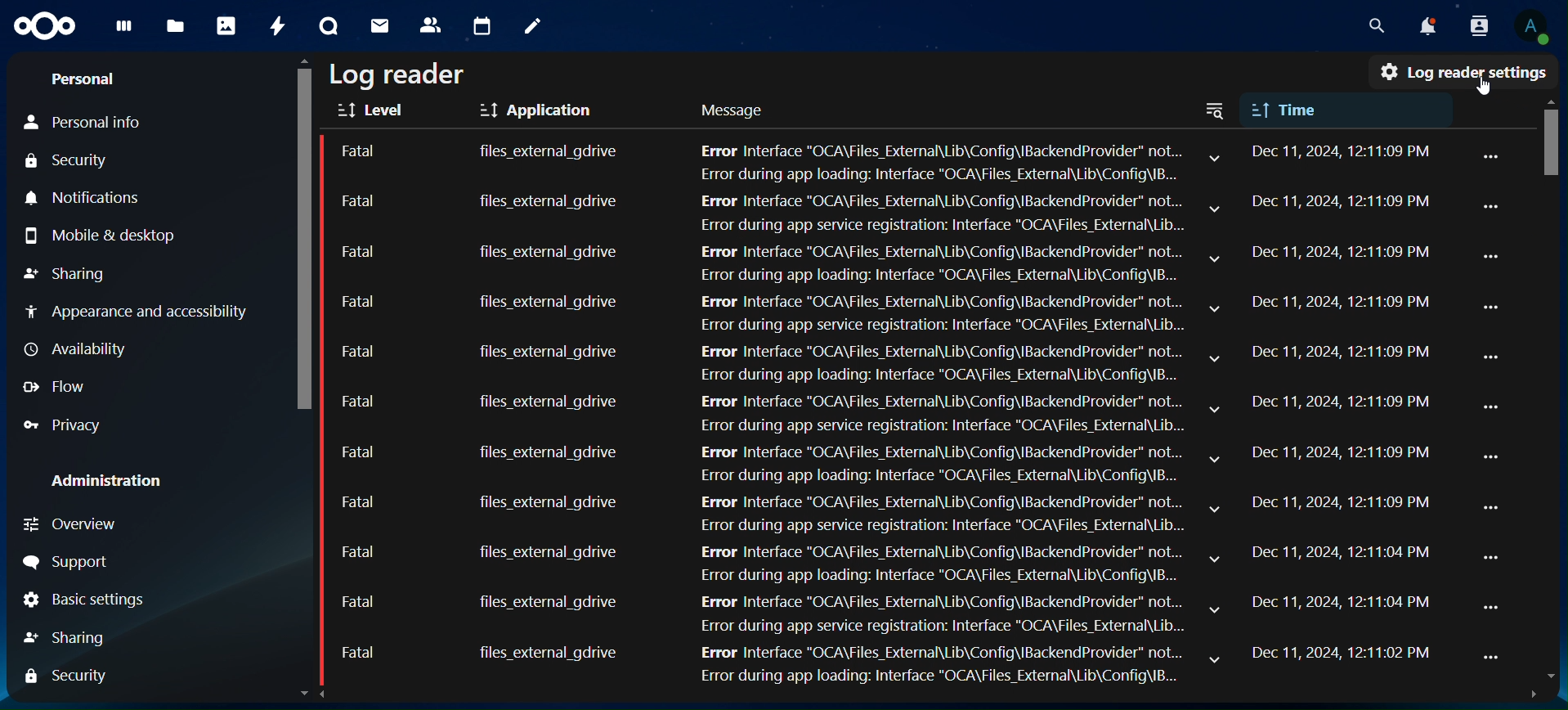  What do you see at coordinates (48, 26) in the screenshot?
I see `icon` at bounding box center [48, 26].